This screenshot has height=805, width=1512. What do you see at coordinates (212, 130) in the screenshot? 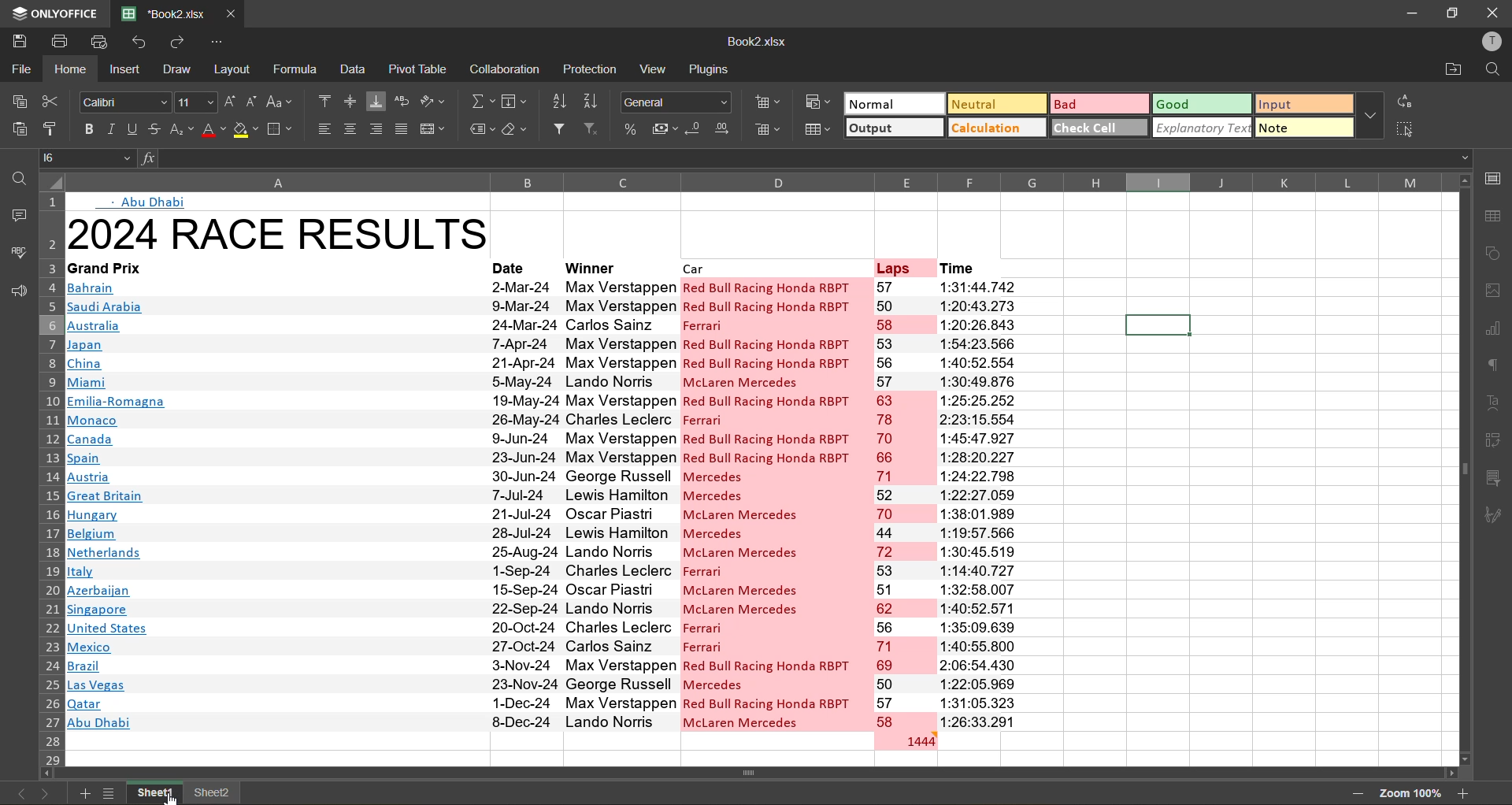
I see `font color` at bounding box center [212, 130].